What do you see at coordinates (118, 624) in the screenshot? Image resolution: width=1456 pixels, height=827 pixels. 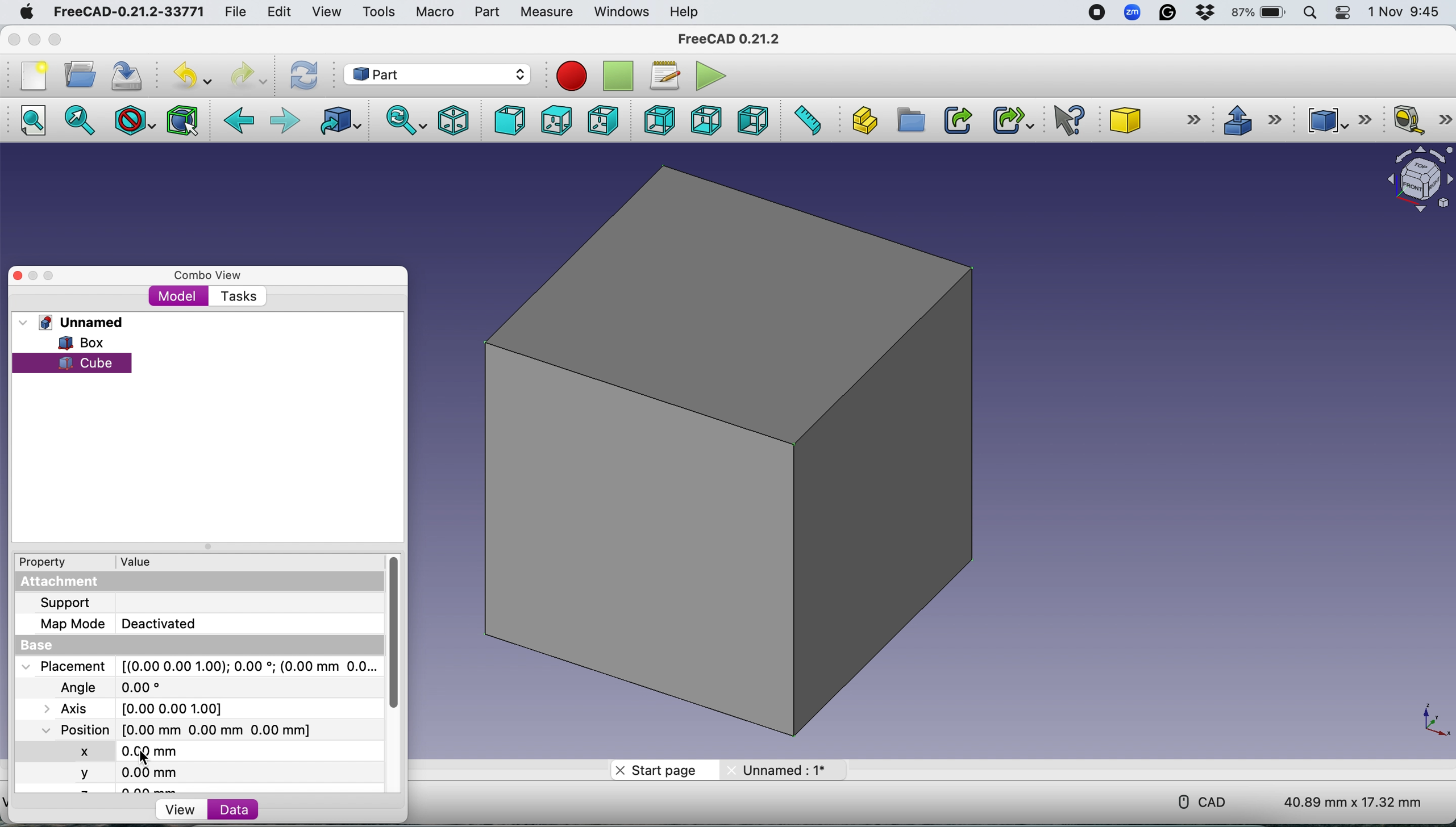 I see `Map Mode Deactivated` at bounding box center [118, 624].